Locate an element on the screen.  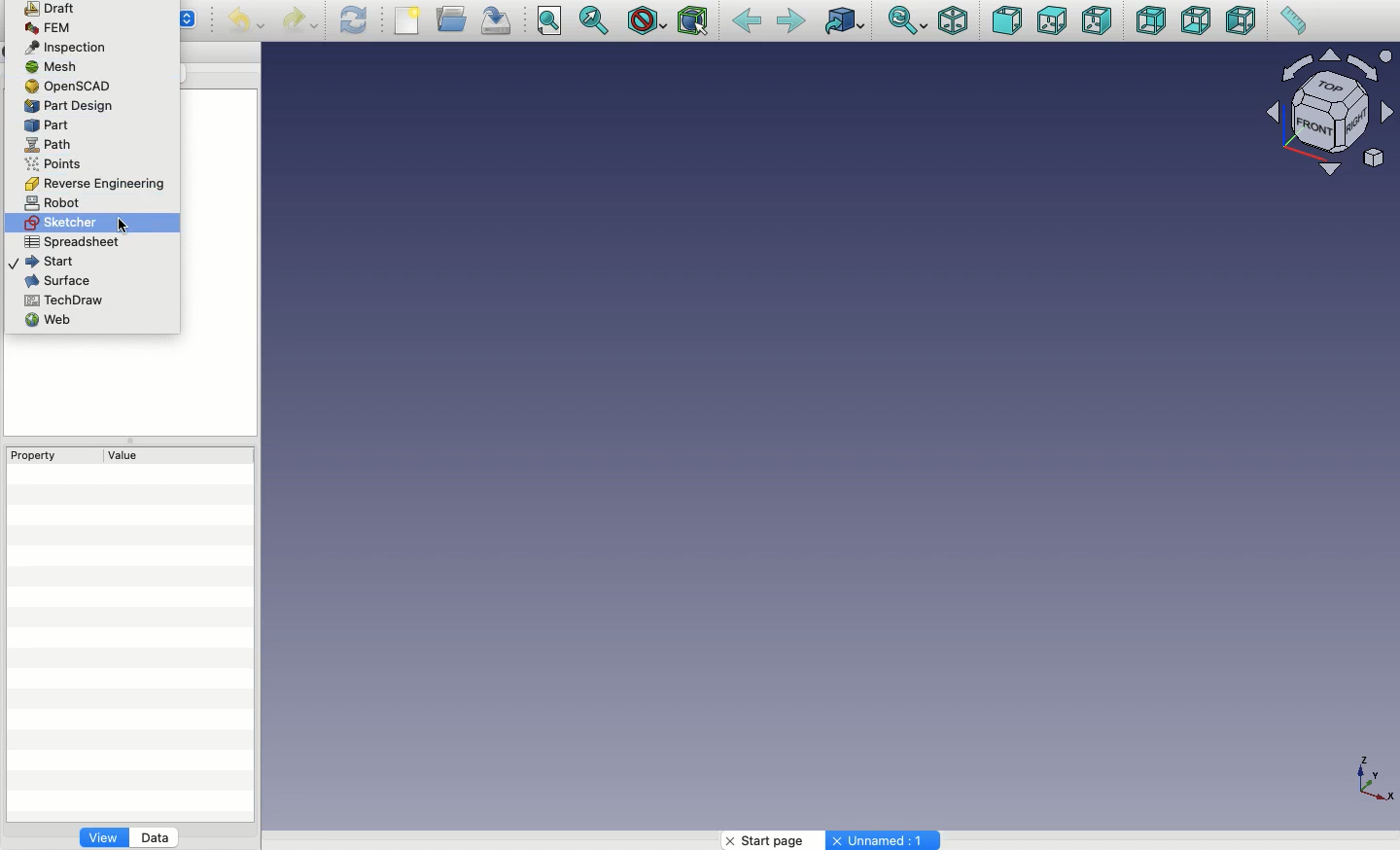
 is located at coordinates (760, 436).